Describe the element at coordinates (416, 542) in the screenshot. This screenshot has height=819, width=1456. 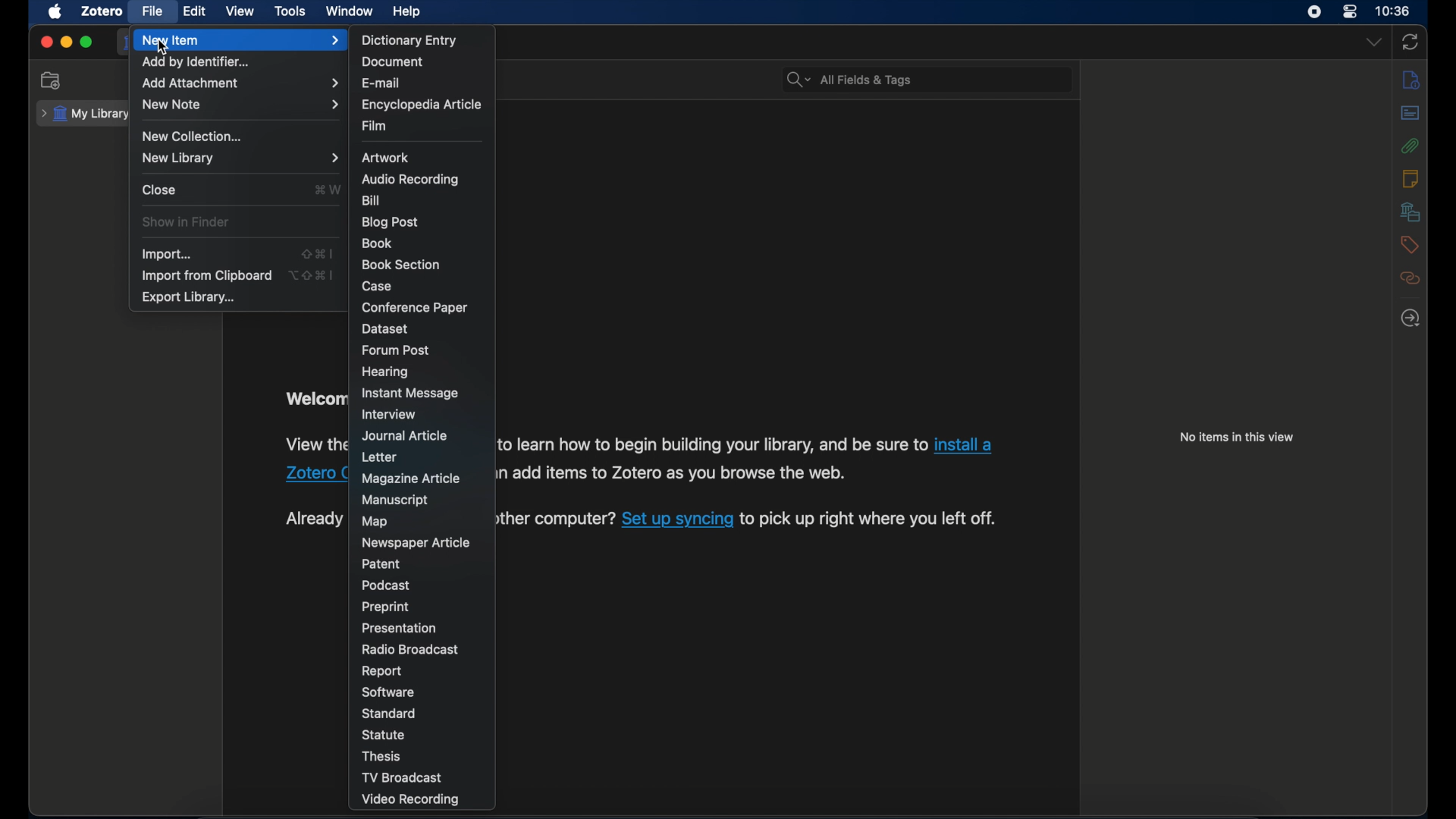
I see `newspaper article` at that location.